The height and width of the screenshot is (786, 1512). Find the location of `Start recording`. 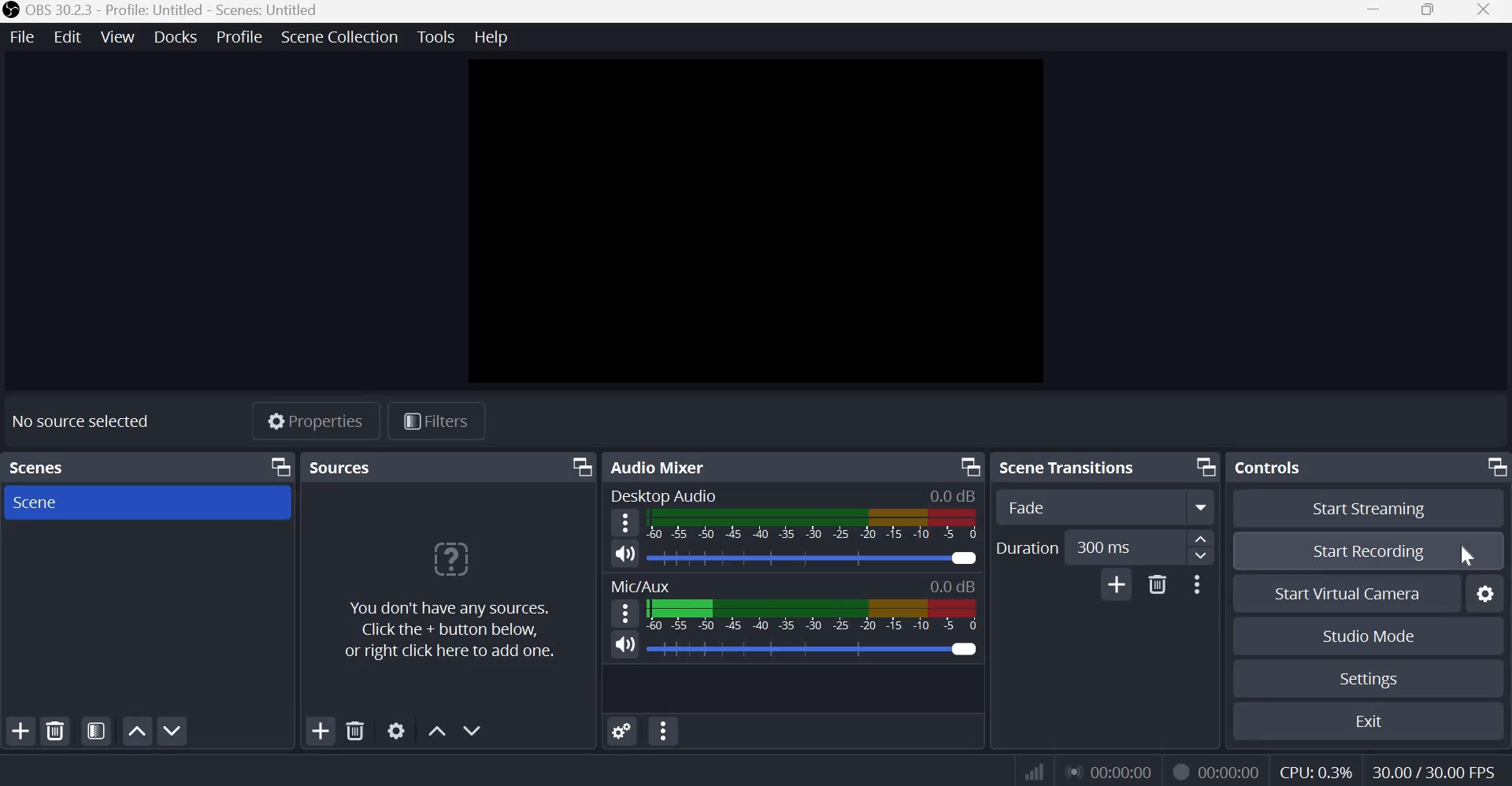

Start recording is located at coordinates (1369, 554).